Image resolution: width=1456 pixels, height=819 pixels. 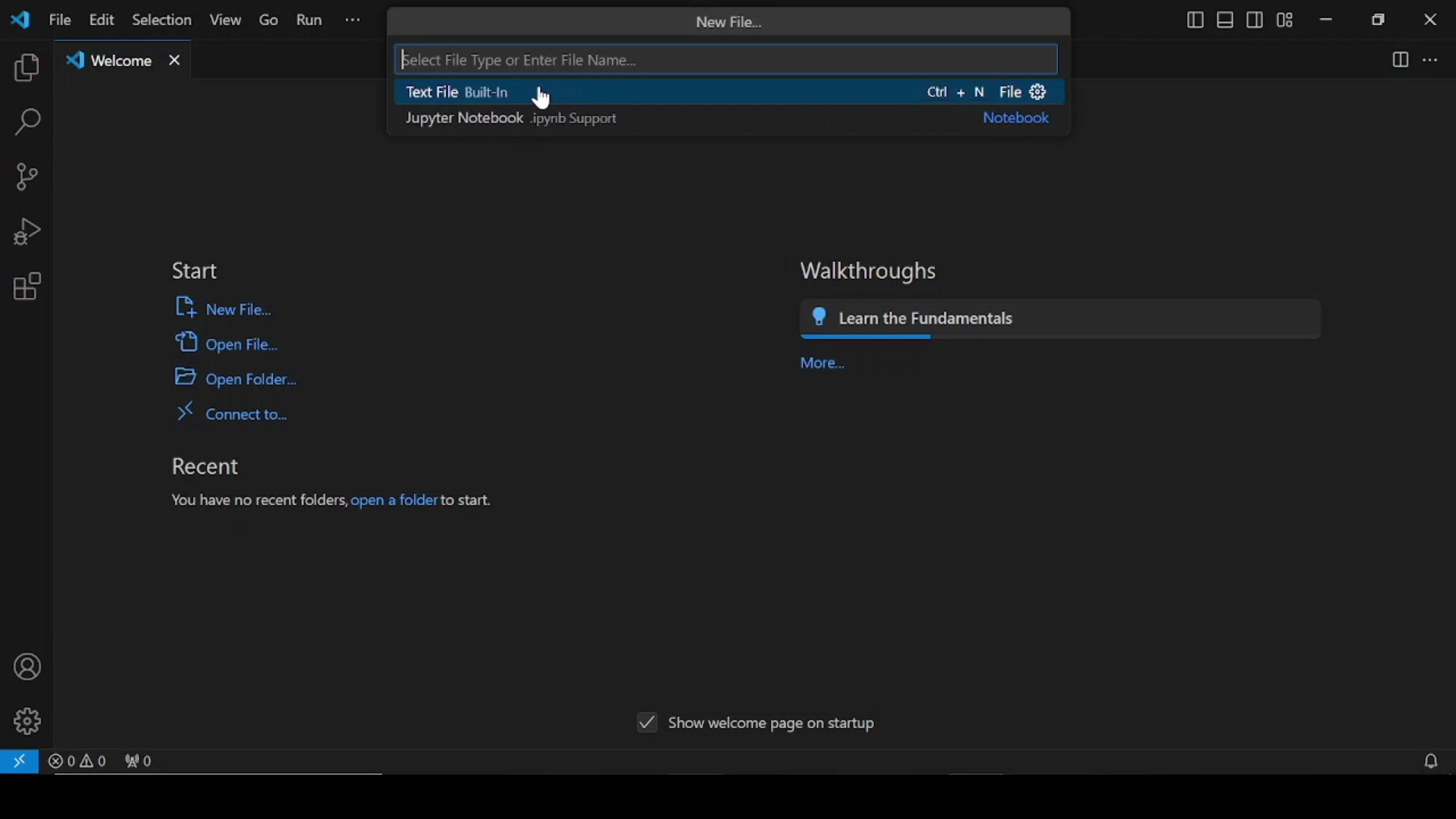 What do you see at coordinates (1433, 763) in the screenshot?
I see `notifications` at bounding box center [1433, 763].